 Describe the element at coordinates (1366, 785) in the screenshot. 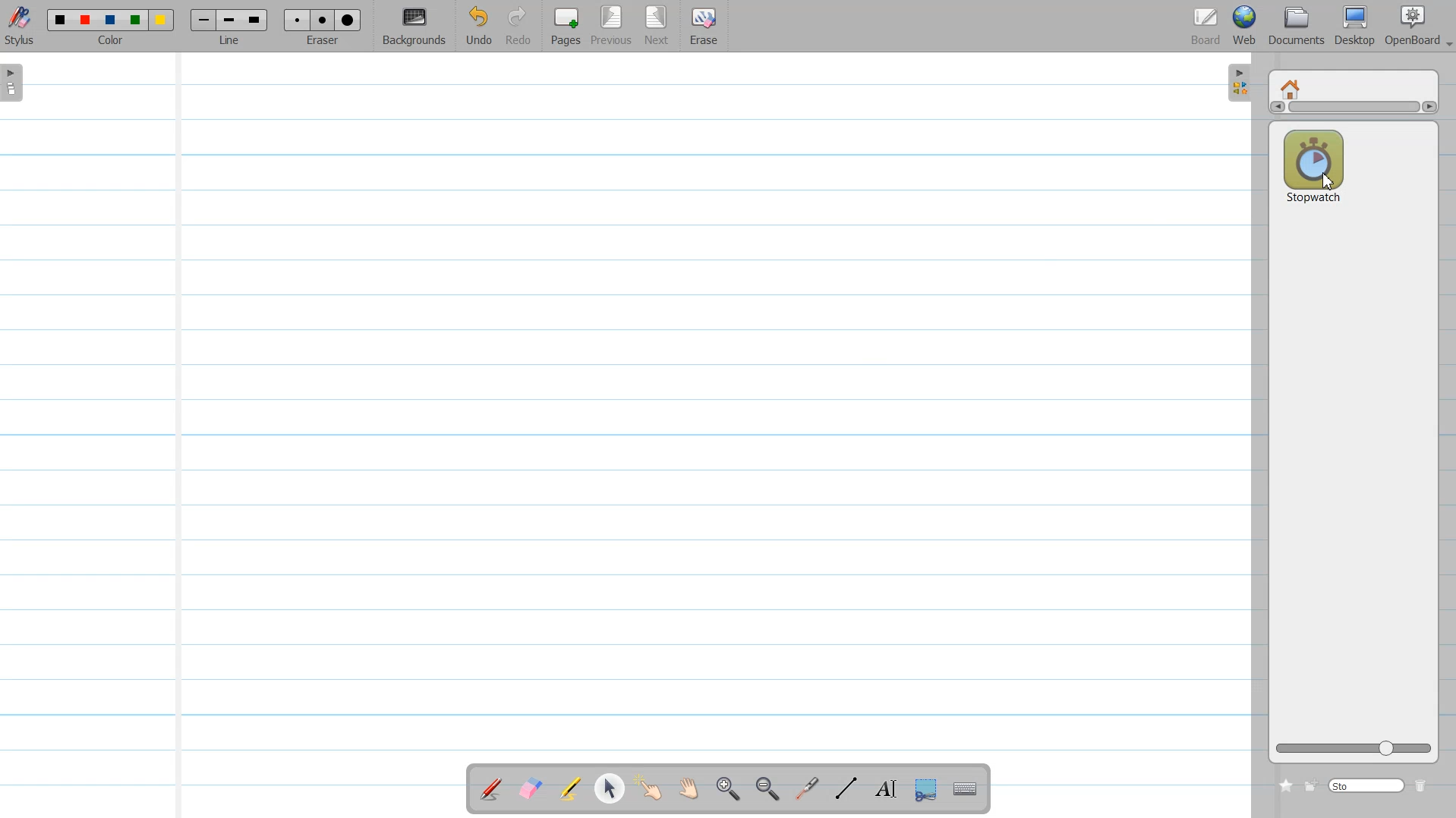

I see `Search bar` at that location.